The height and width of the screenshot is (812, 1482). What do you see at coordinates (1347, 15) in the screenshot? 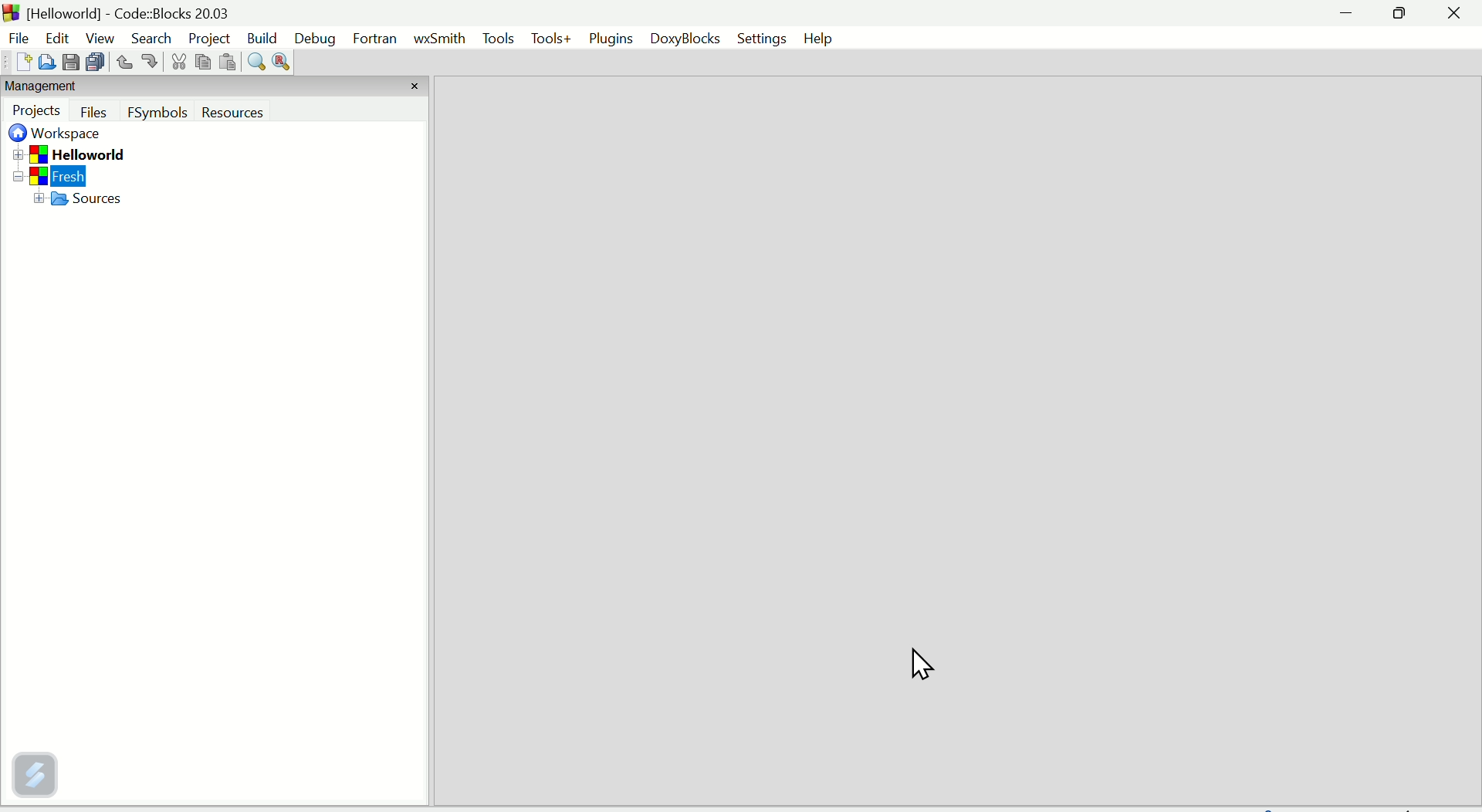
I see `minimise` at bounding box center [1347, 15].